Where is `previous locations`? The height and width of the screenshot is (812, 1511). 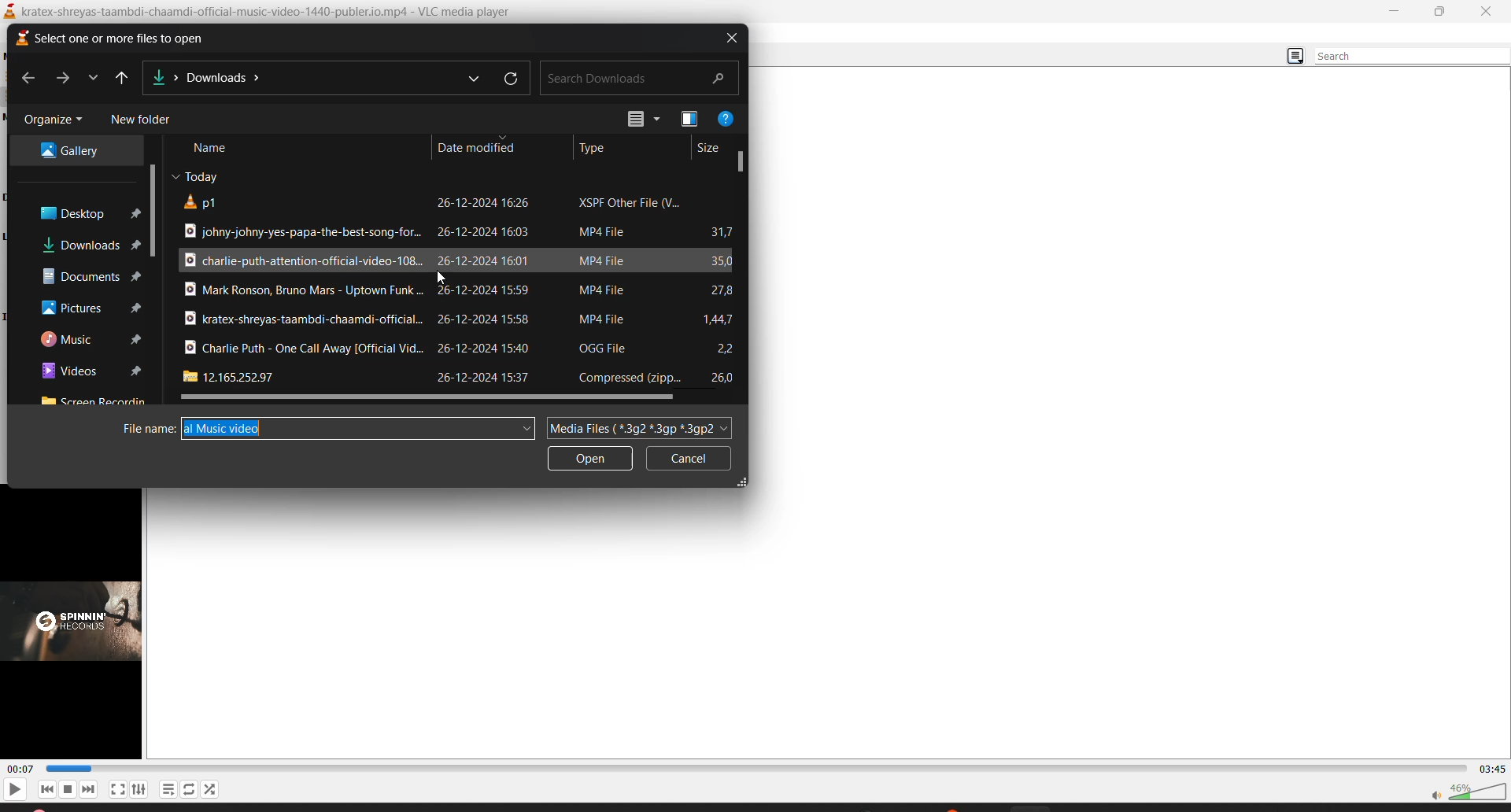
previous locations is located at coordinates (471, 81).